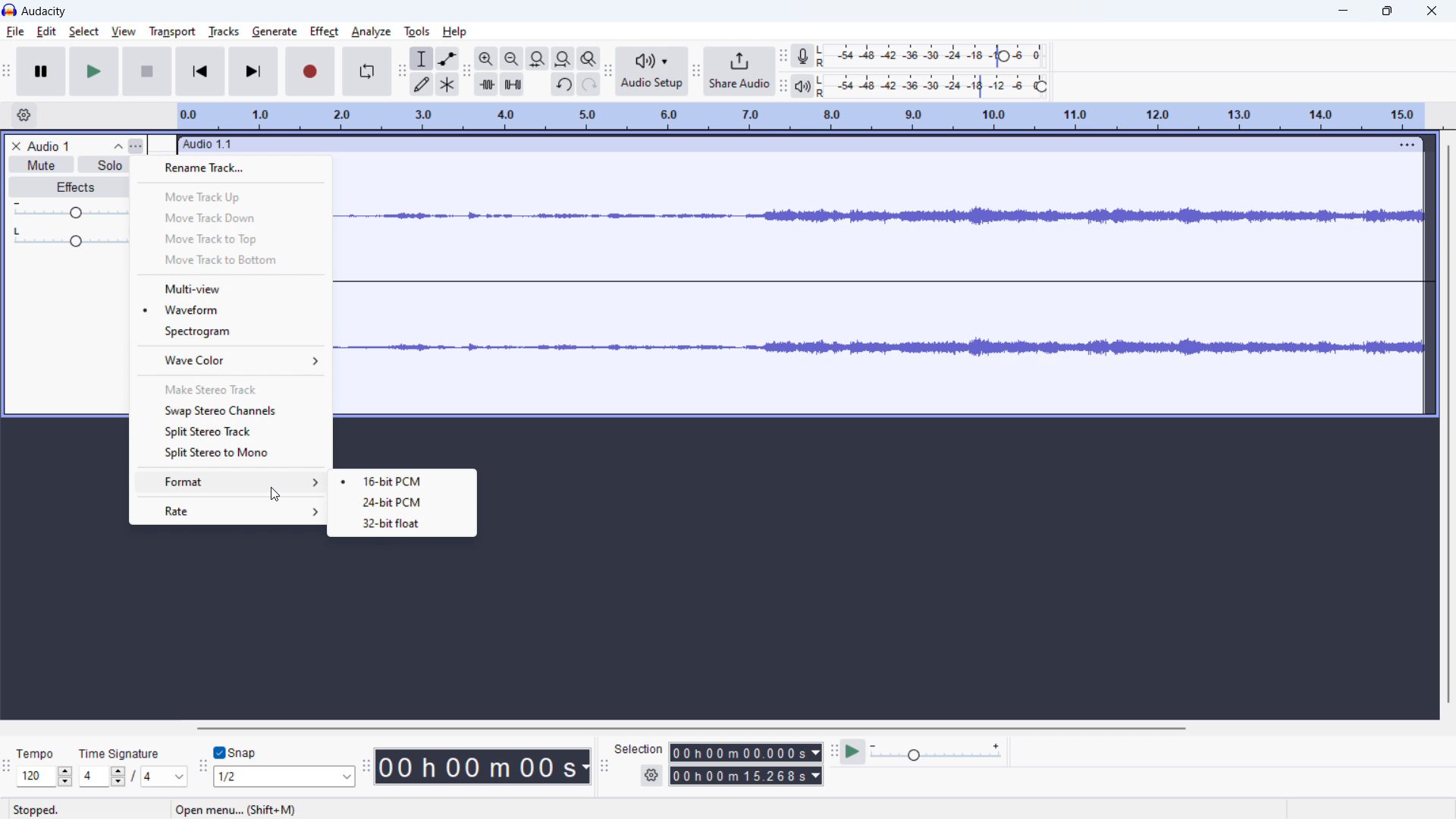 This screenshot has width=1456, height=819. I want to click on wavefrom, so click(231, 310).